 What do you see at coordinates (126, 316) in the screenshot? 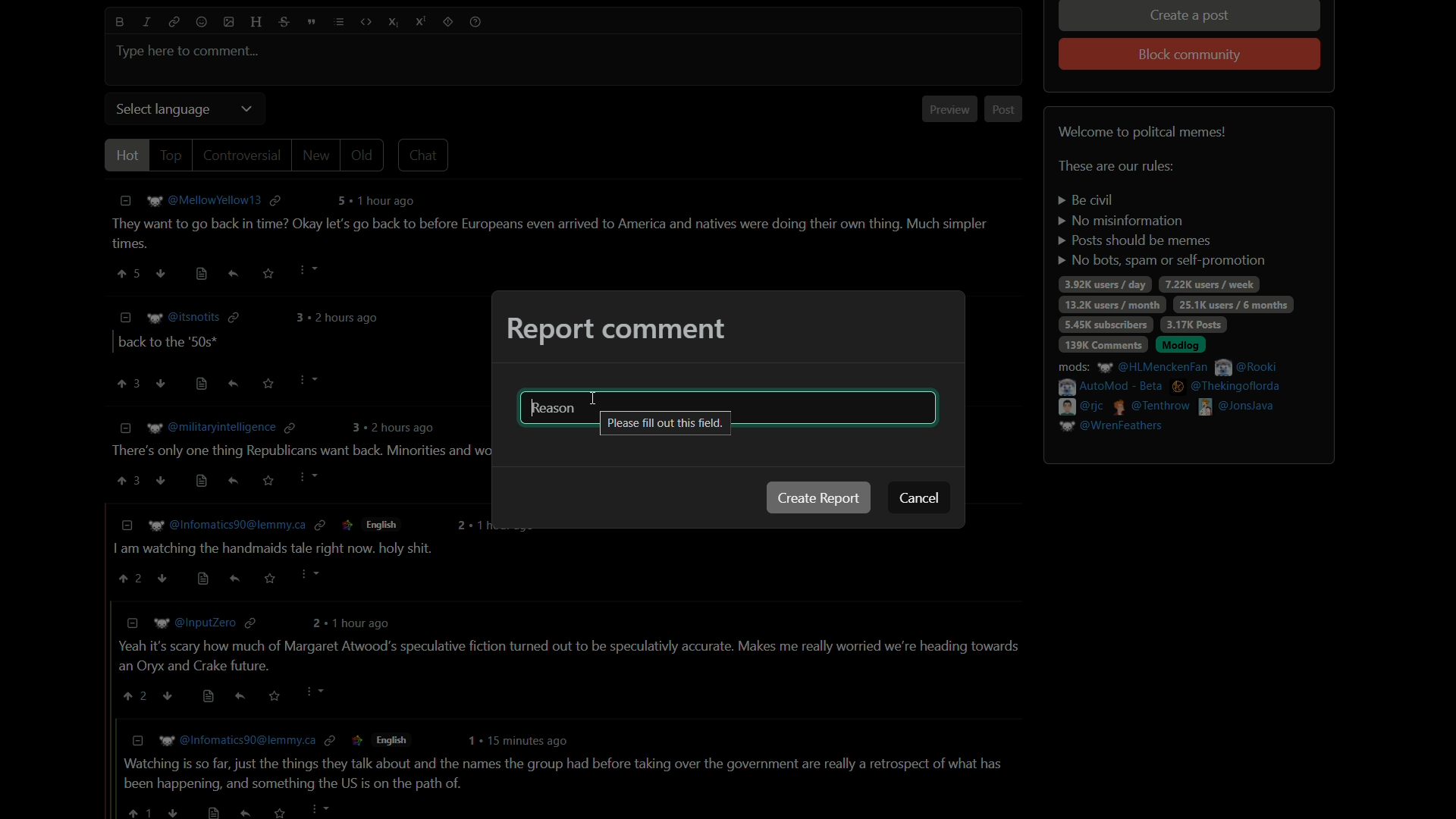
I see `less information` at bounding box center [126, 316].